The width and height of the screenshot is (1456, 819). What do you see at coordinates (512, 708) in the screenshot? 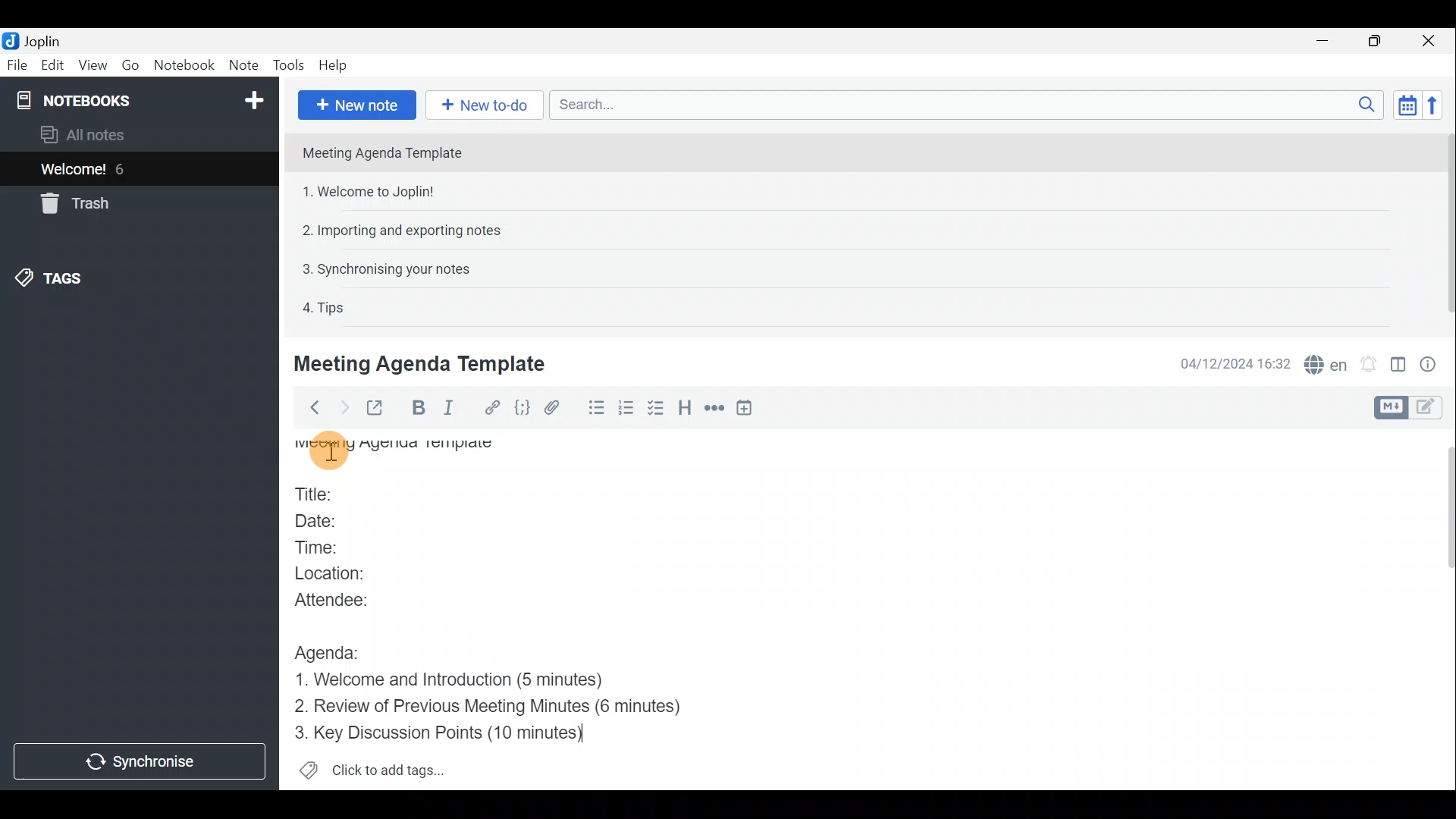
I see `Review of Previous Meeting Minutes (6 minutes)` at bounding box center [512, 708].